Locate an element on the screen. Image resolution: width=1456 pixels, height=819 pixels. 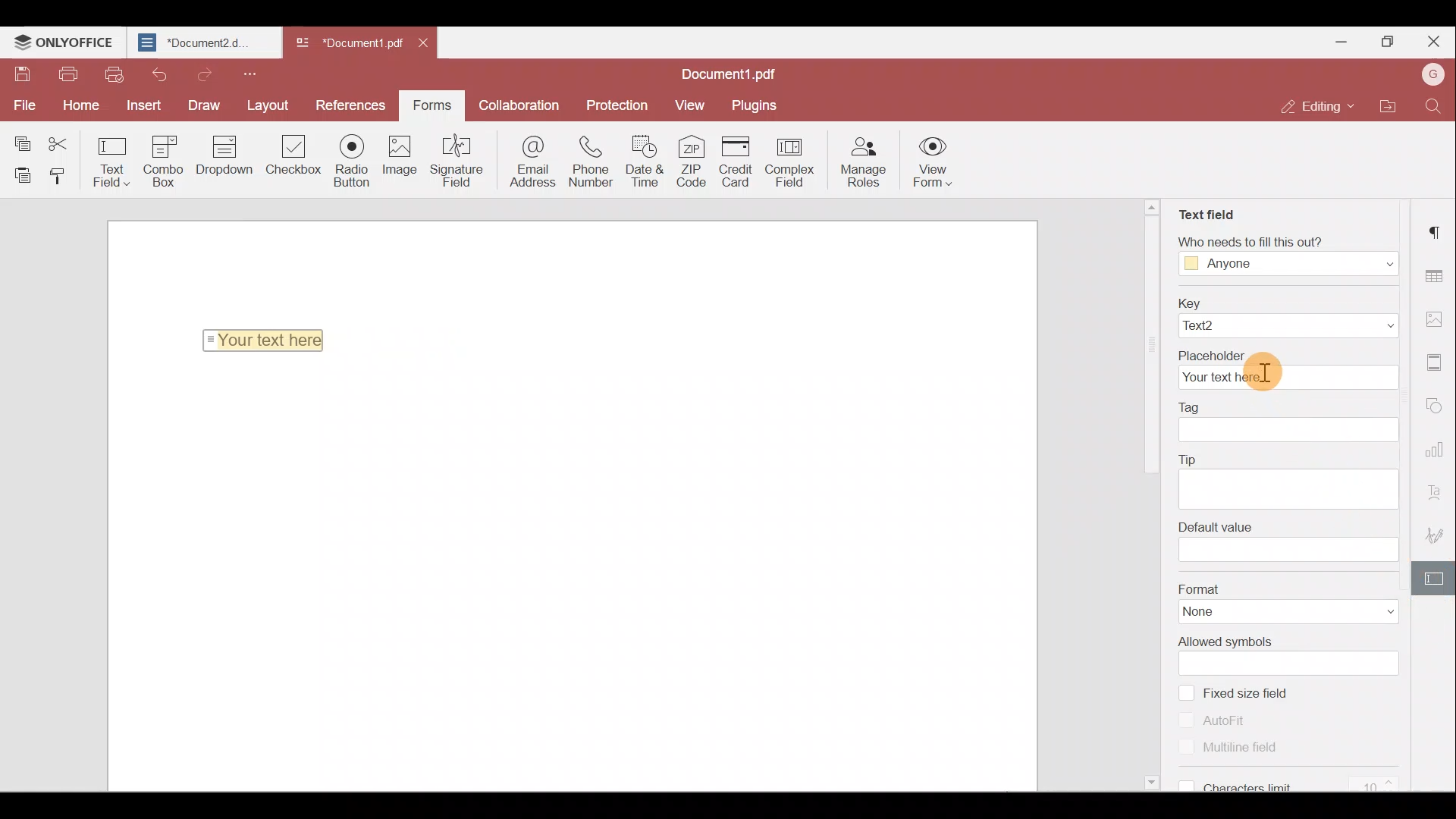
View form is located at coordinates (932, 165).